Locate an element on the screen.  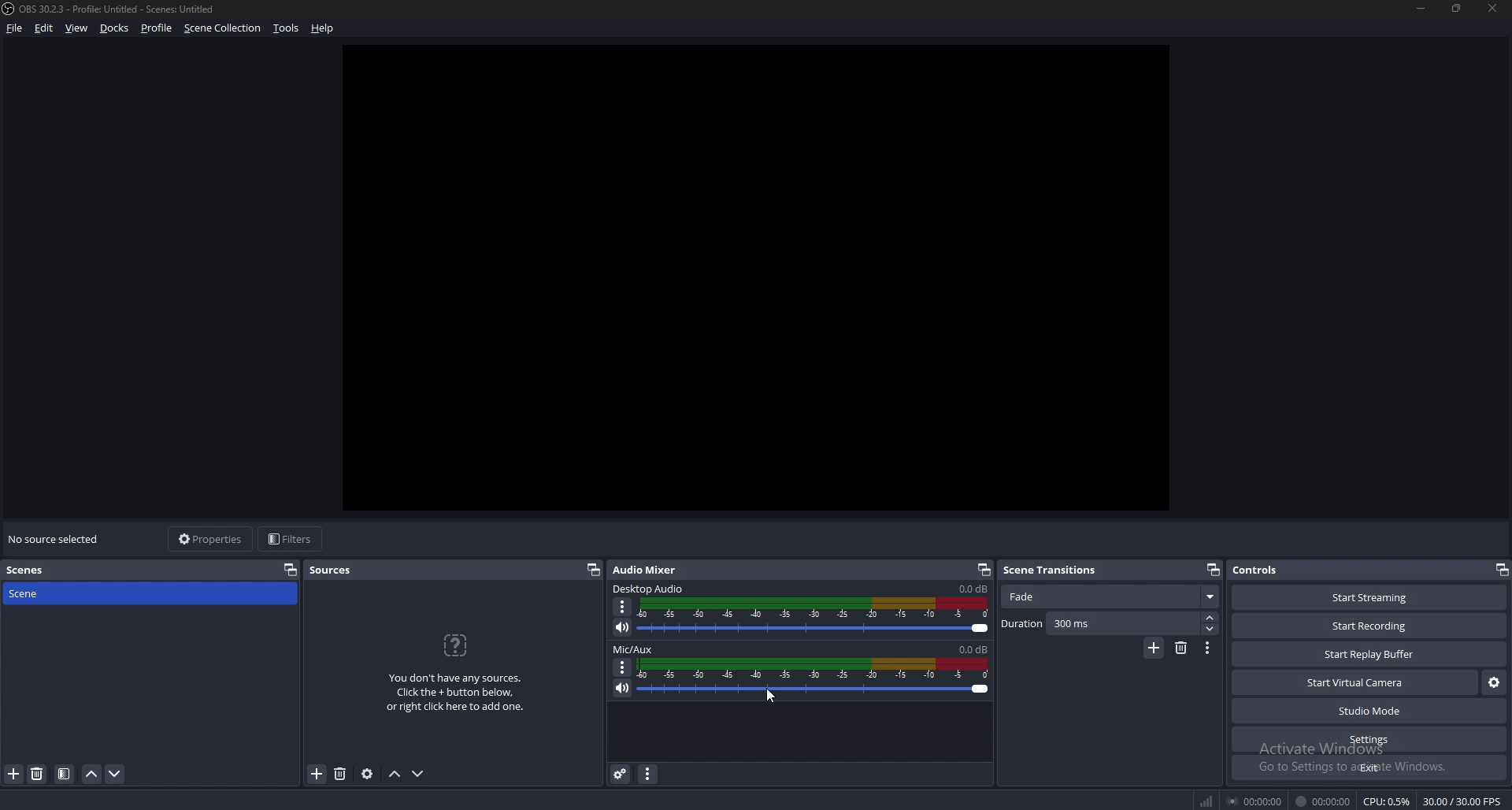
audio mixer is located at coordinates (645, 570).